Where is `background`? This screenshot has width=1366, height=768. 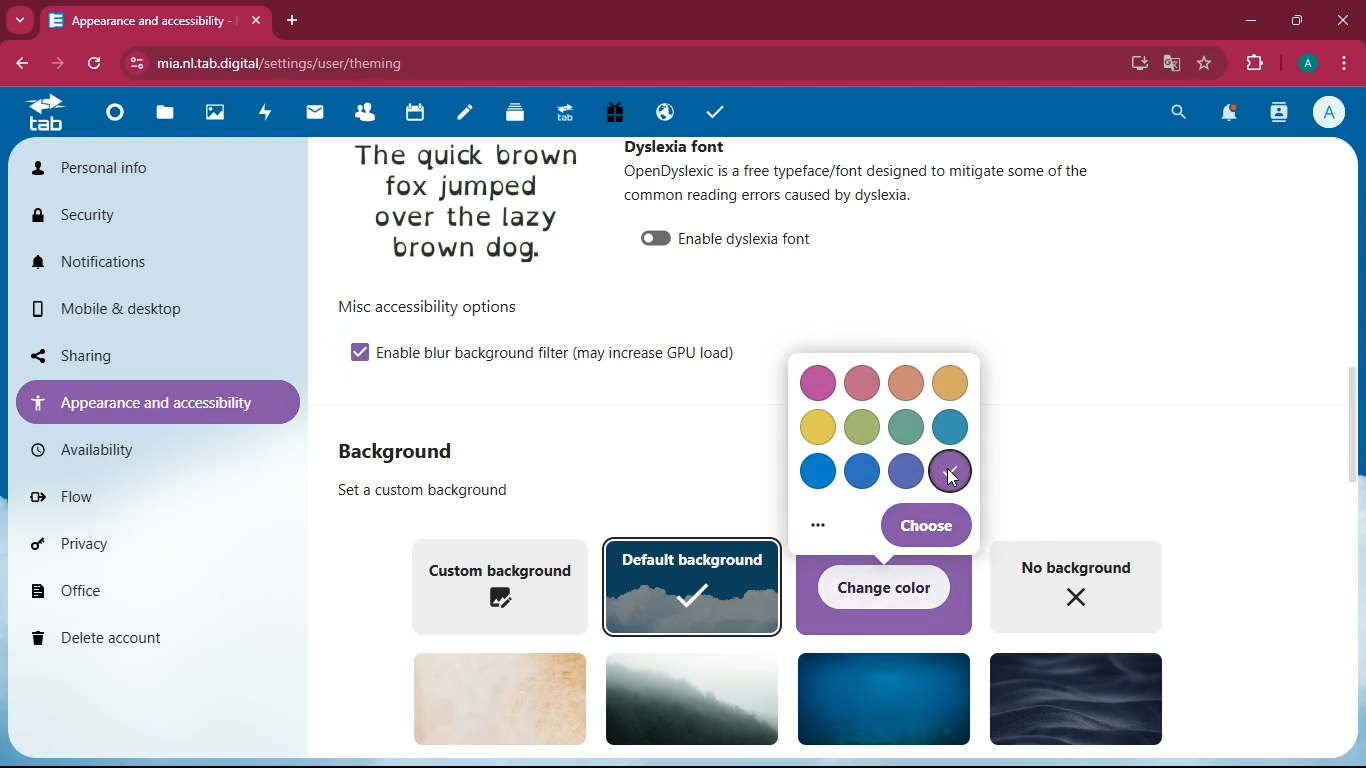 background is located at coordinates (500, 698).